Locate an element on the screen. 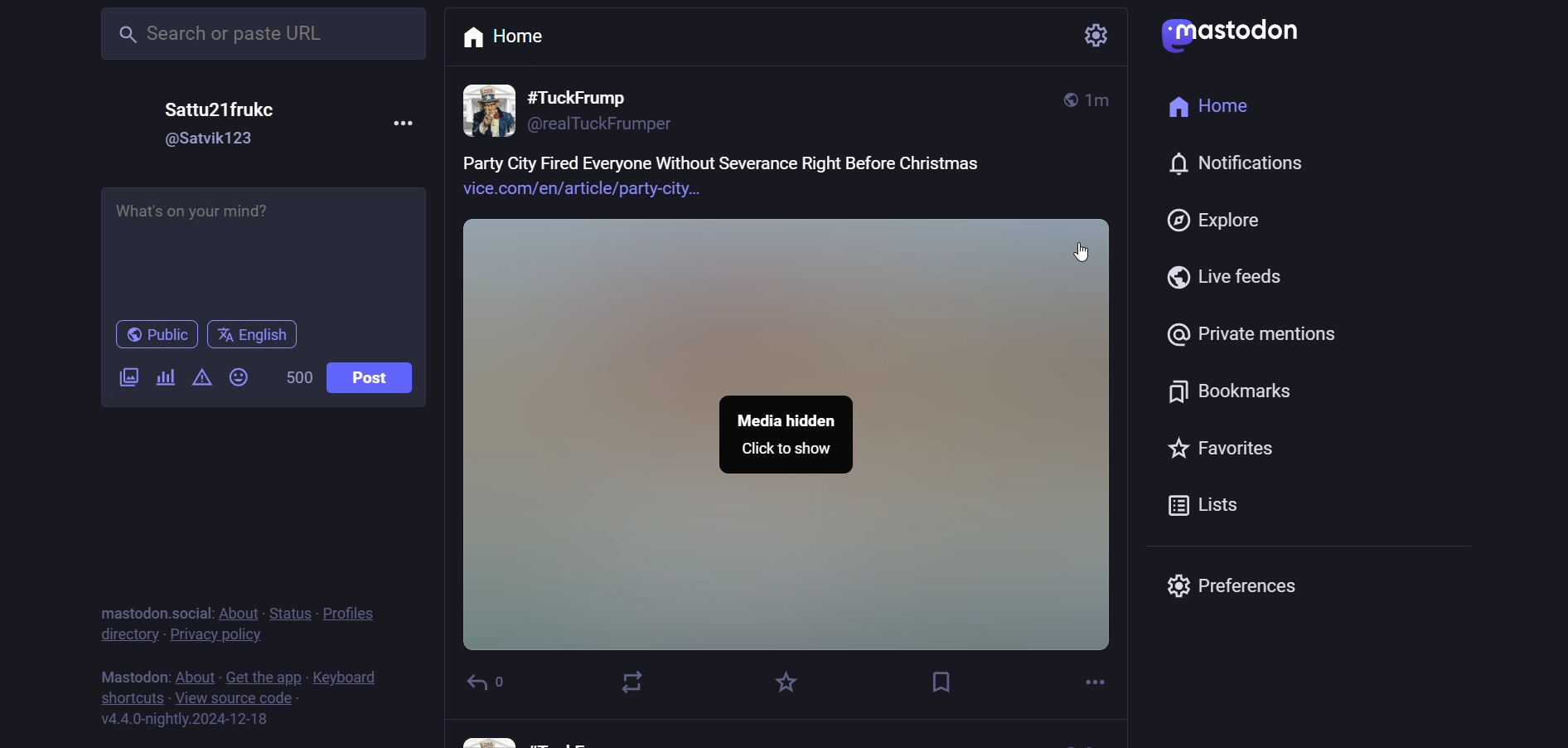 This screenshot has width=1568, height=748. Favorites is located at coordinates (1220, 449).